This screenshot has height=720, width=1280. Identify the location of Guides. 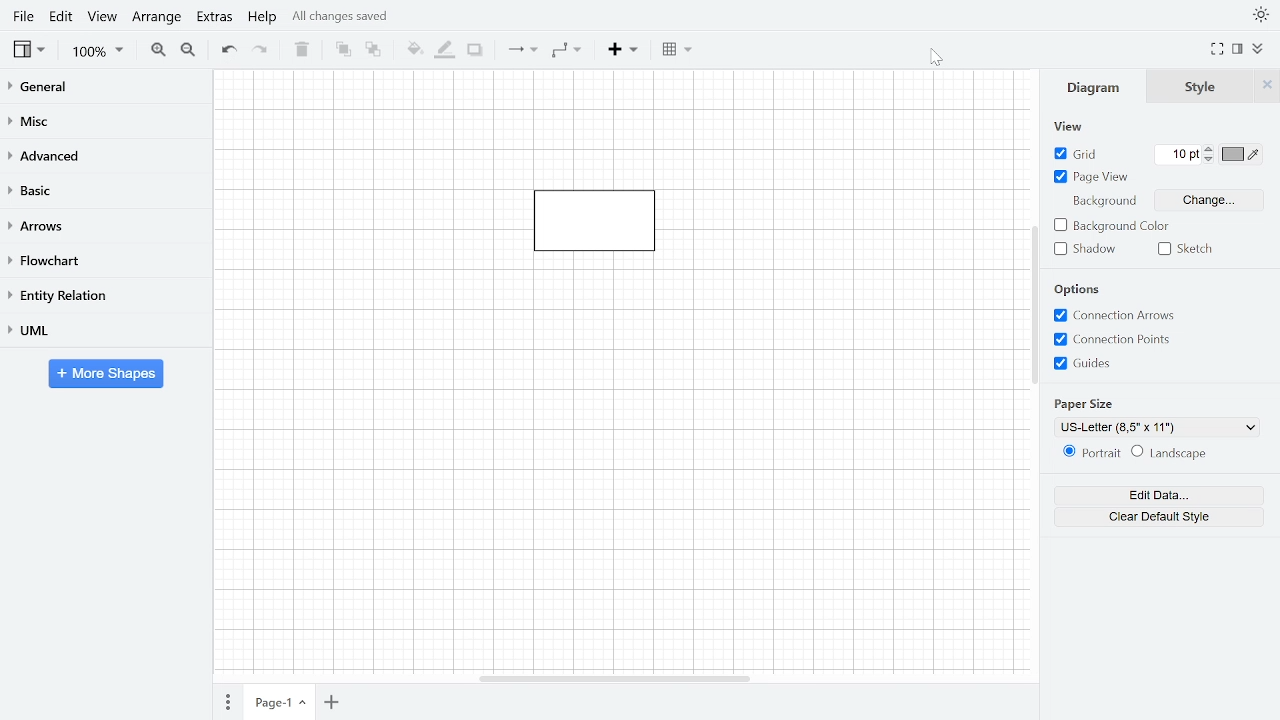
(1088, 364).